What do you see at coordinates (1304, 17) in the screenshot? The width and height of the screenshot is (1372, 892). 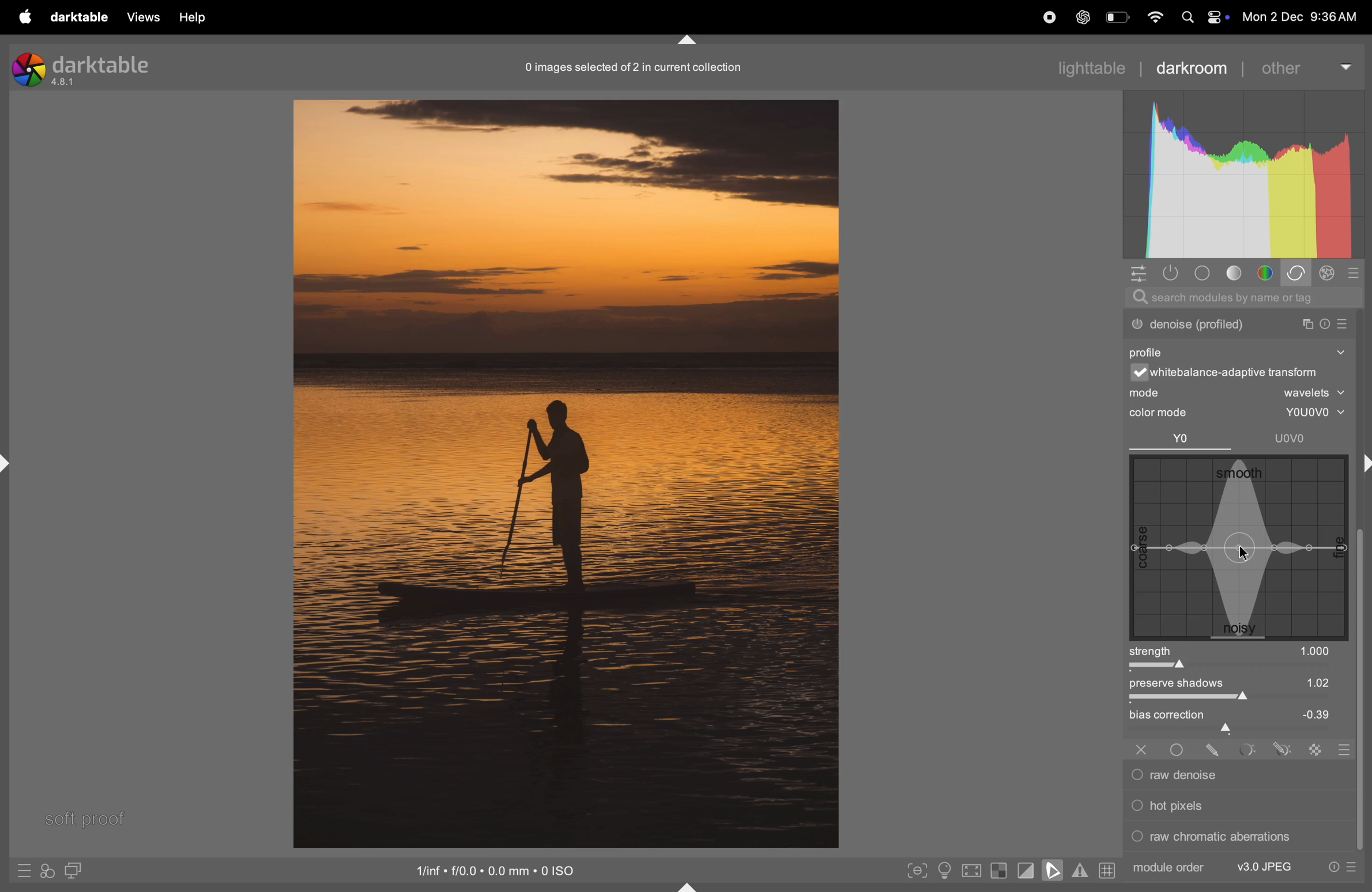 I see `date and time` at bounding box center [1304, 17].